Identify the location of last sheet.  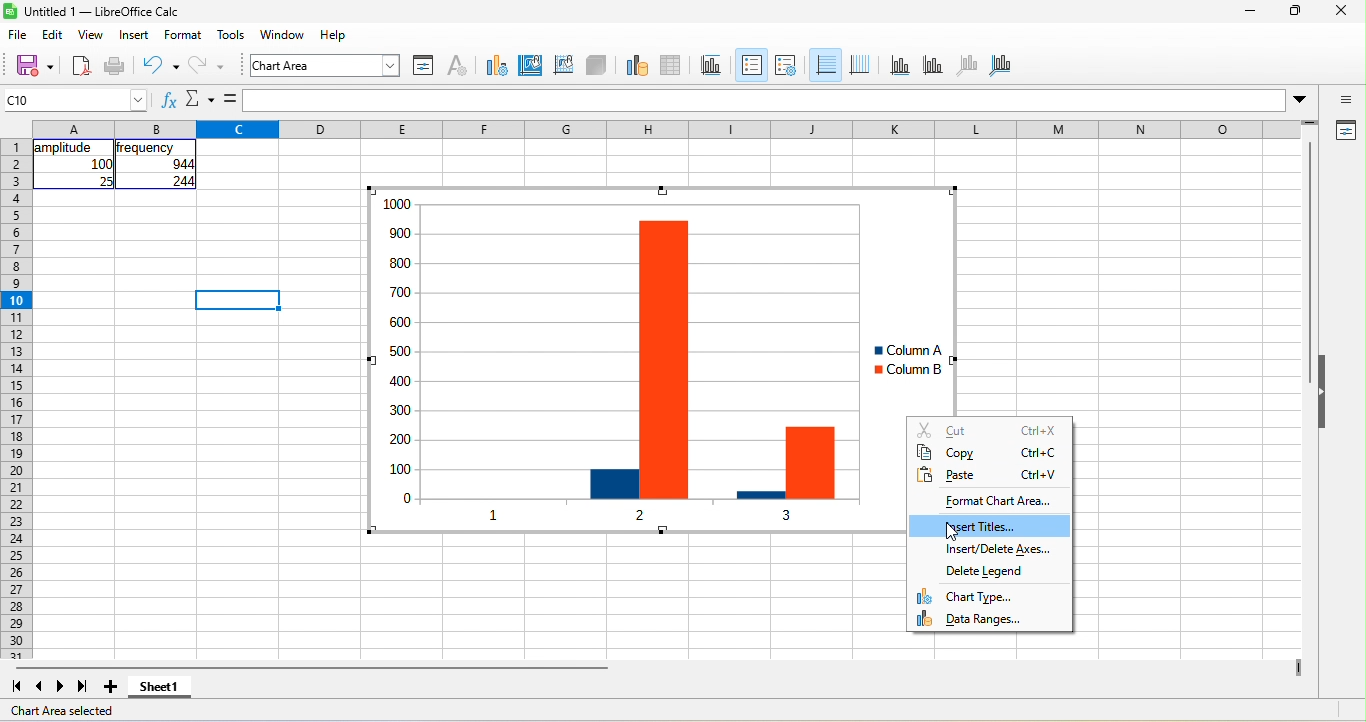
(83, 687).